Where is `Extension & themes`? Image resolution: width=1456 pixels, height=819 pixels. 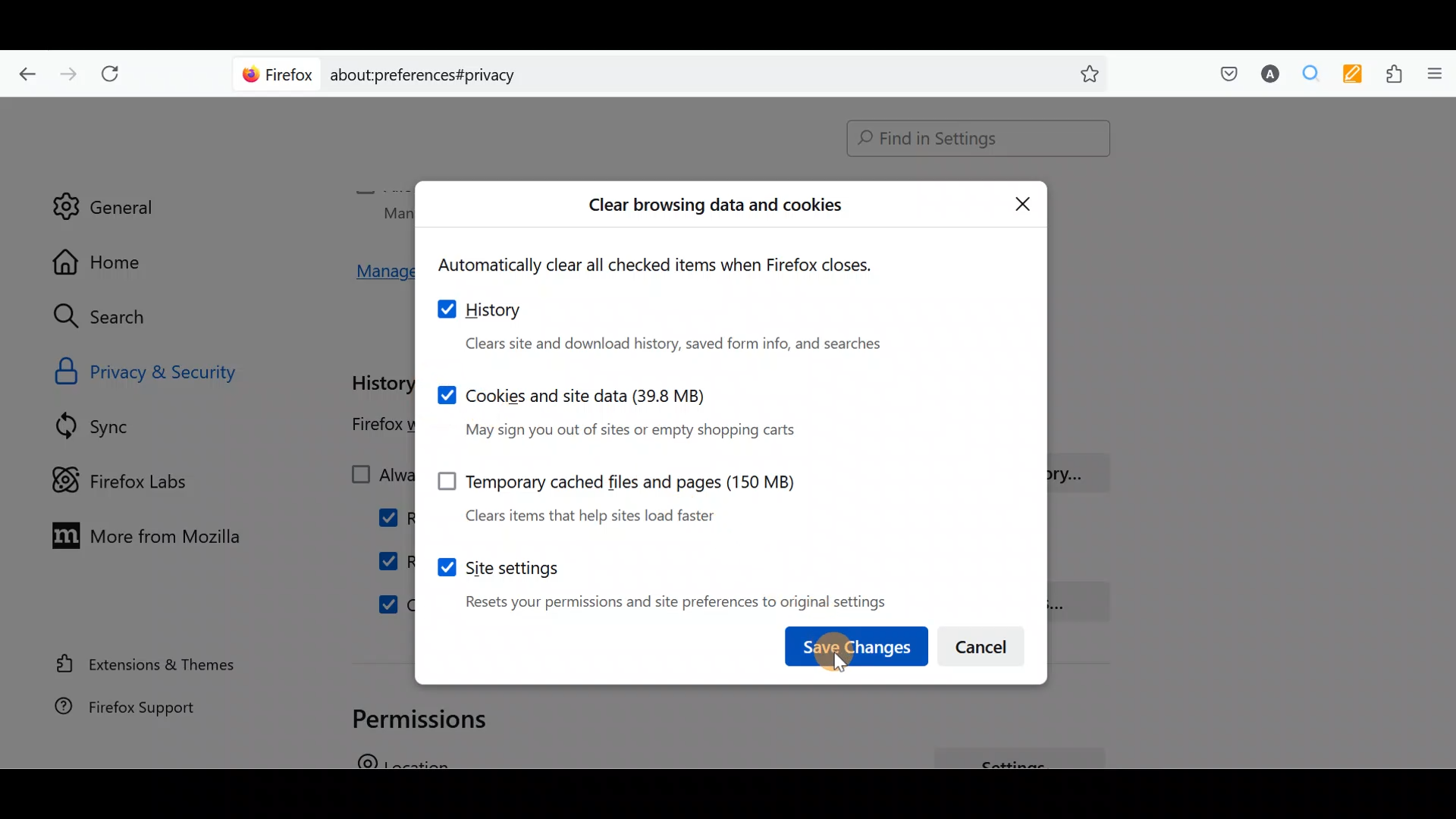
Extension & themes is located at coordinates (149, 667).